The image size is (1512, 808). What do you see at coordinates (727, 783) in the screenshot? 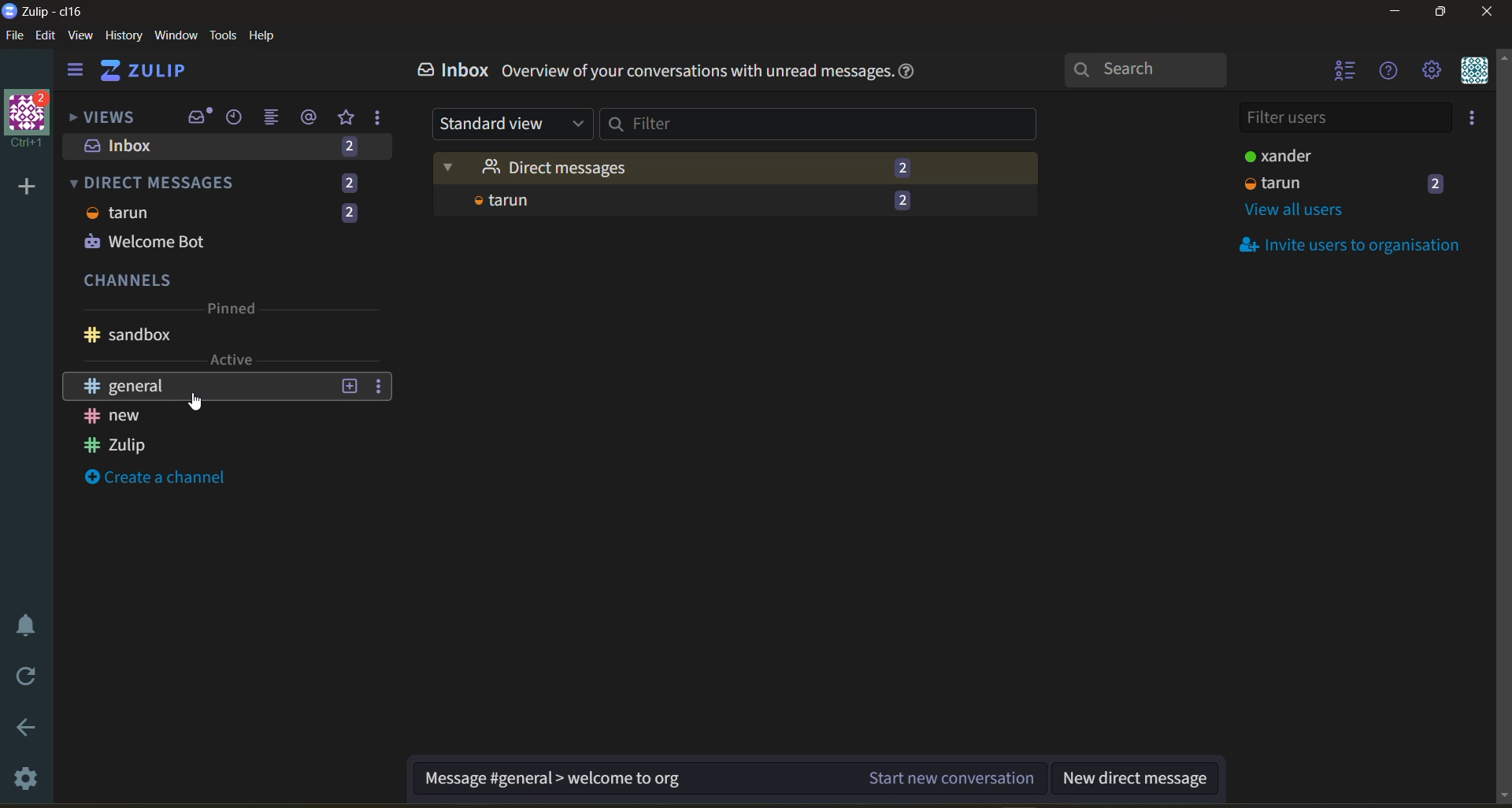
I see `start new  conversation` at bounding box center [727, 783].